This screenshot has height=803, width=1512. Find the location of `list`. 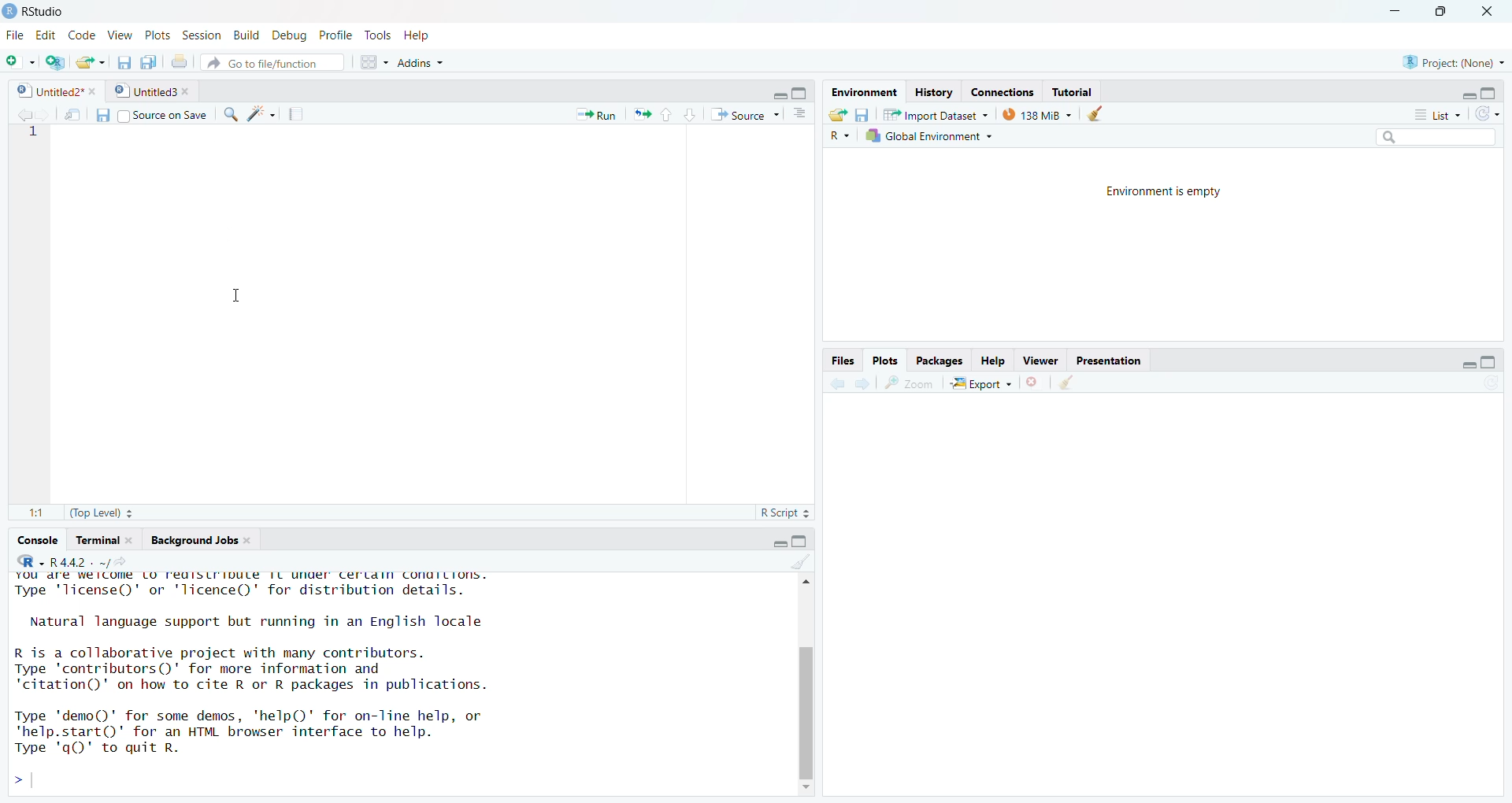

list is located at coordinates (1432, 113).